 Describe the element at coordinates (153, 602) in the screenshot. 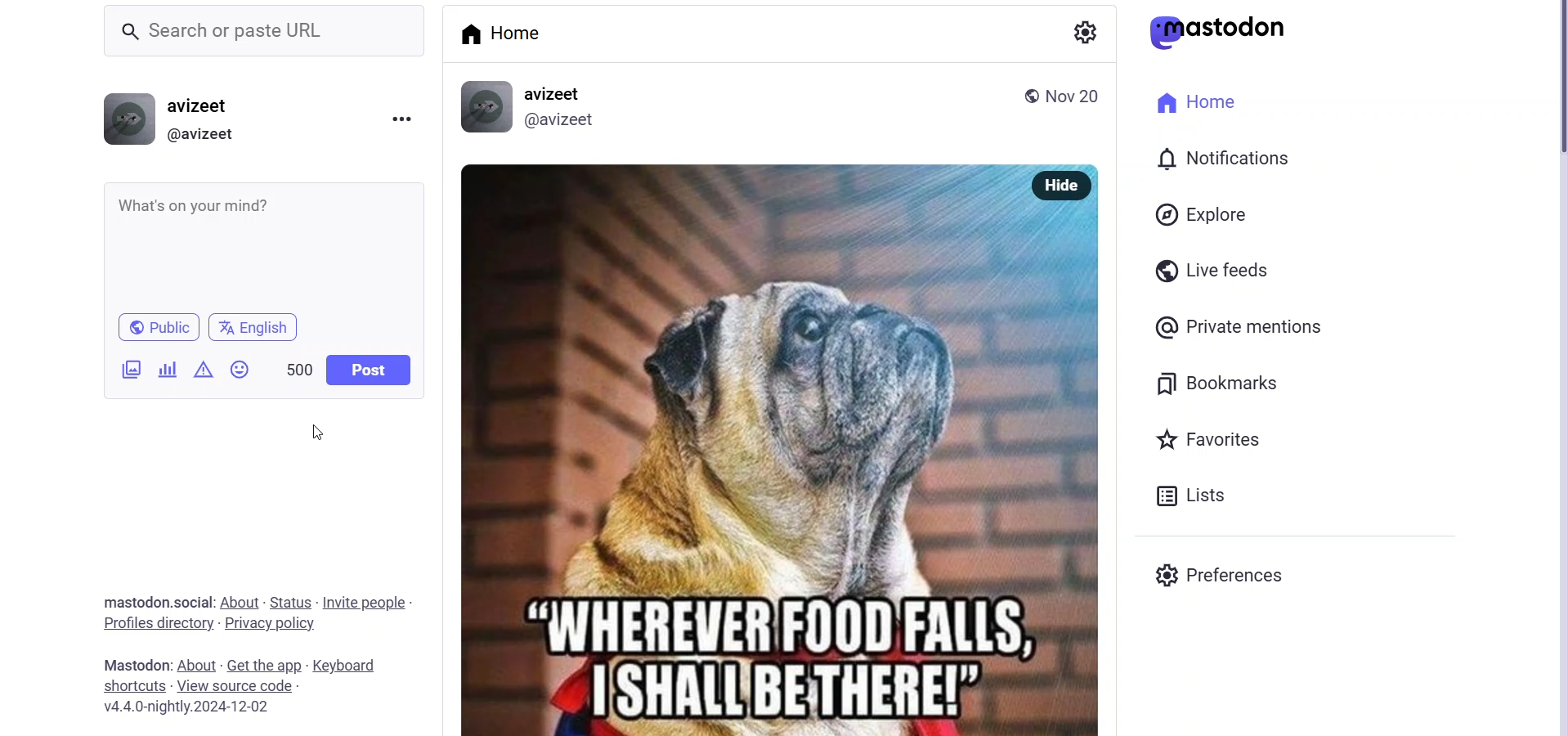

I see `mastodon social` at that location.